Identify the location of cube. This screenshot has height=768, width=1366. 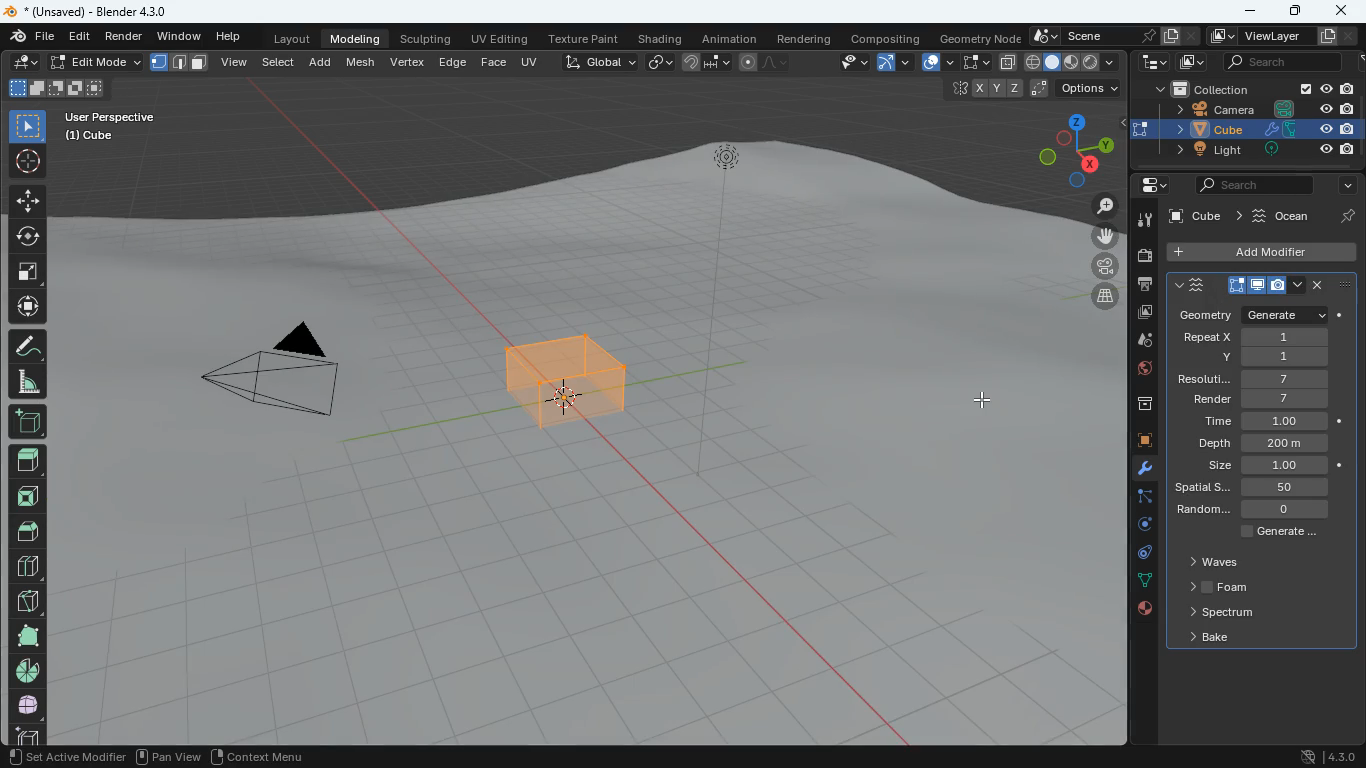
(1135, 442).